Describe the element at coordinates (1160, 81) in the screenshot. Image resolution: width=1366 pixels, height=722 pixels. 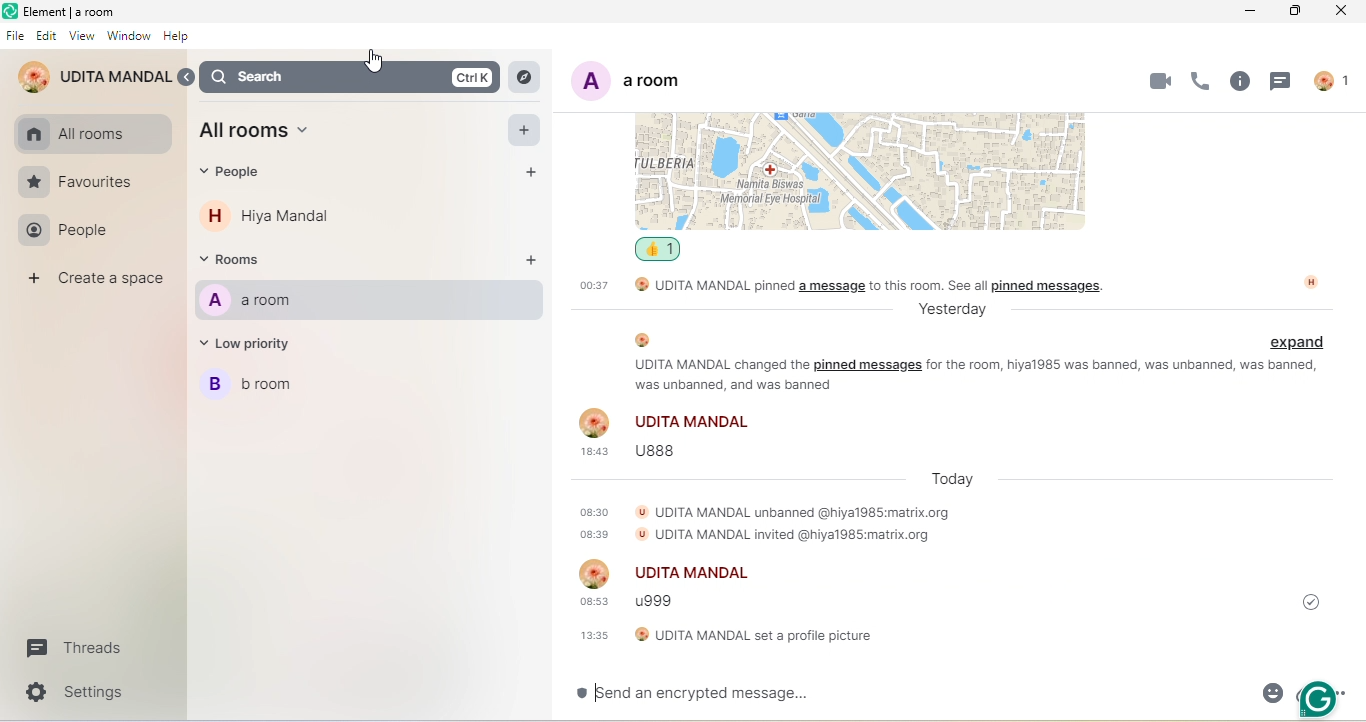
I see `Video Call` at that location.